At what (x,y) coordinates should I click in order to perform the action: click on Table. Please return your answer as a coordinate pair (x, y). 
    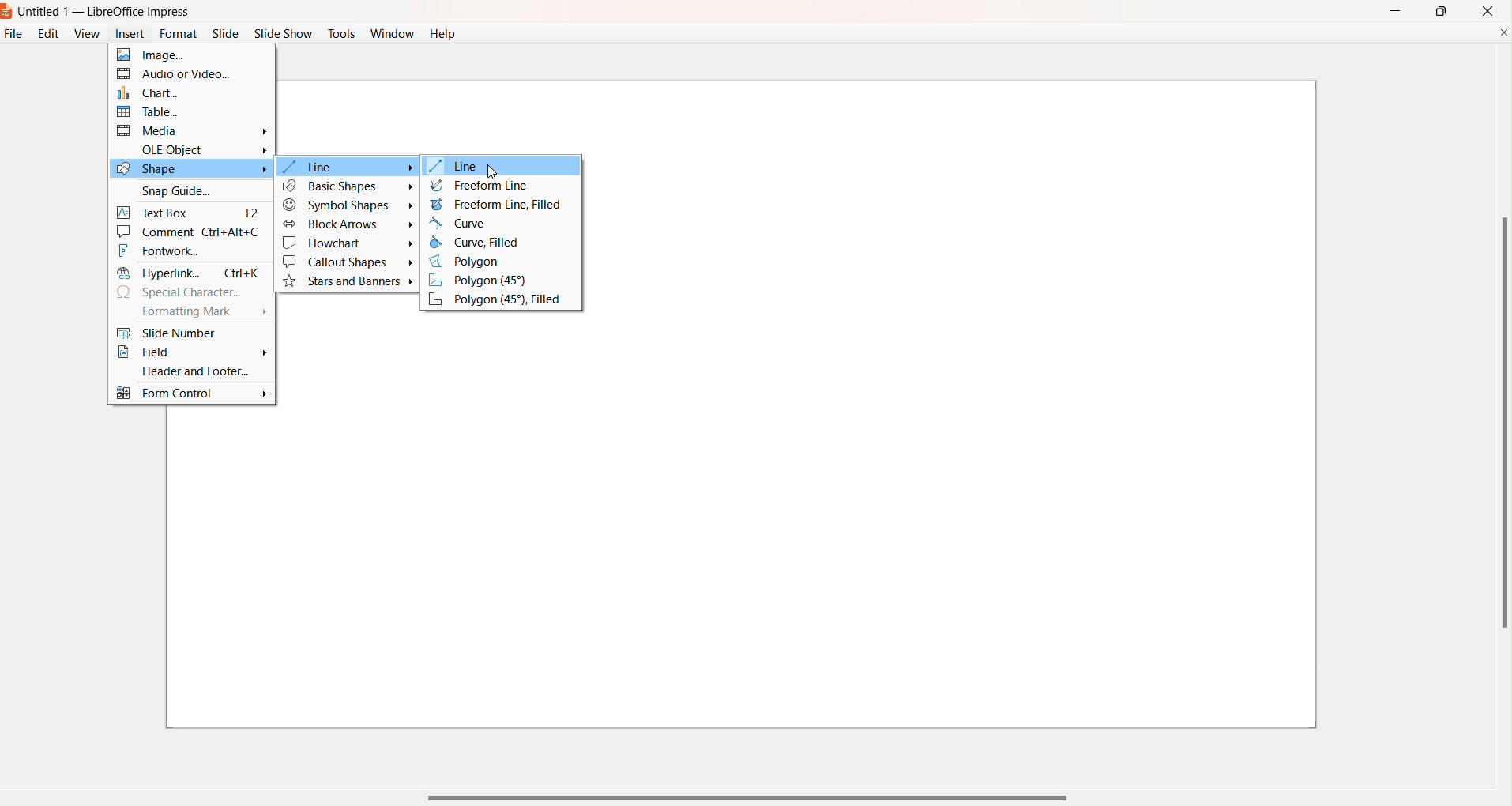
    Looking at the image, I should click on (182, 111).